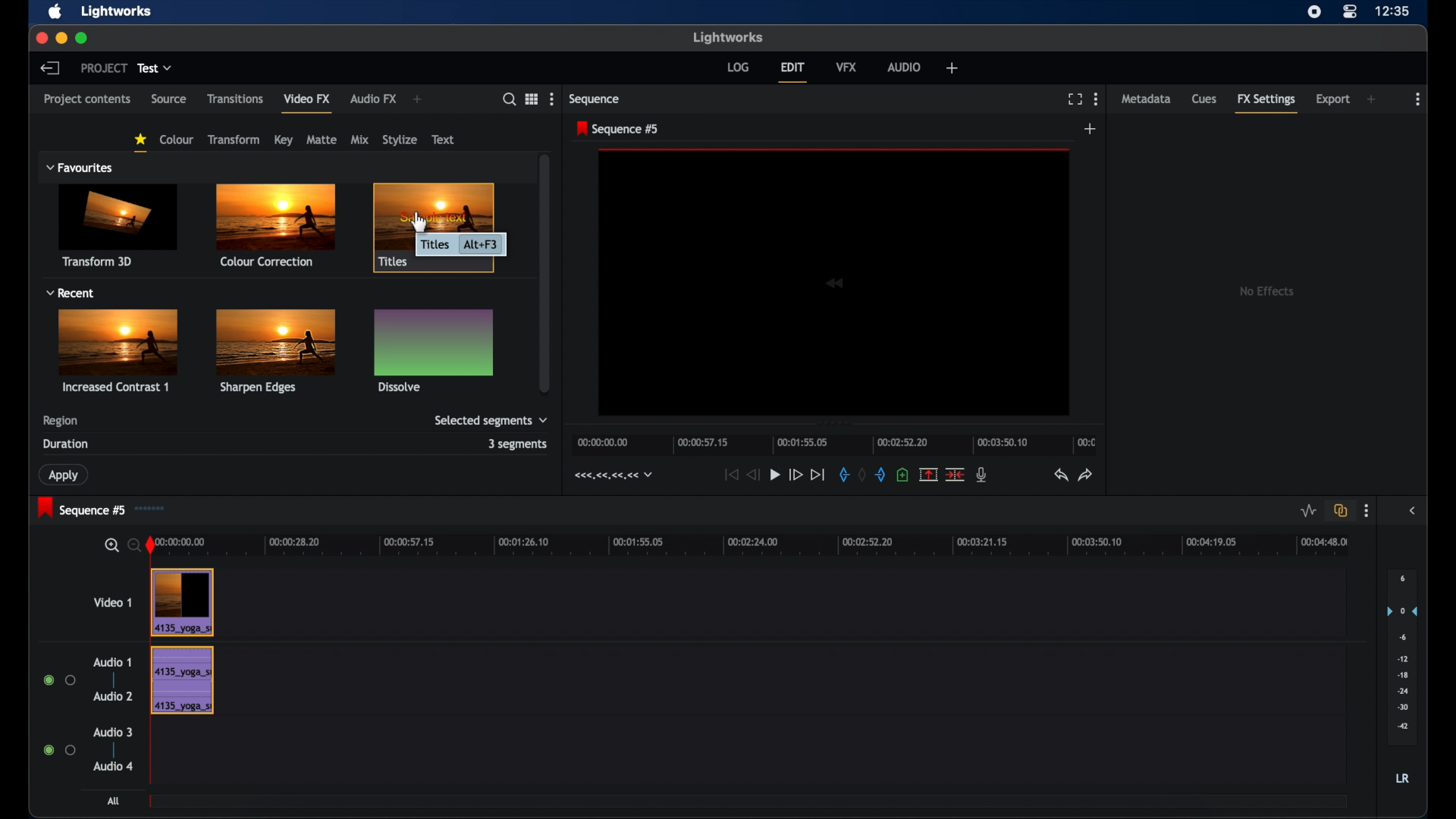 The width and height of the screenshot is (1456, 819). What do you see at coordinates (40, 37) in the screenshot?
I see `close` at bounding box center [40, 37].